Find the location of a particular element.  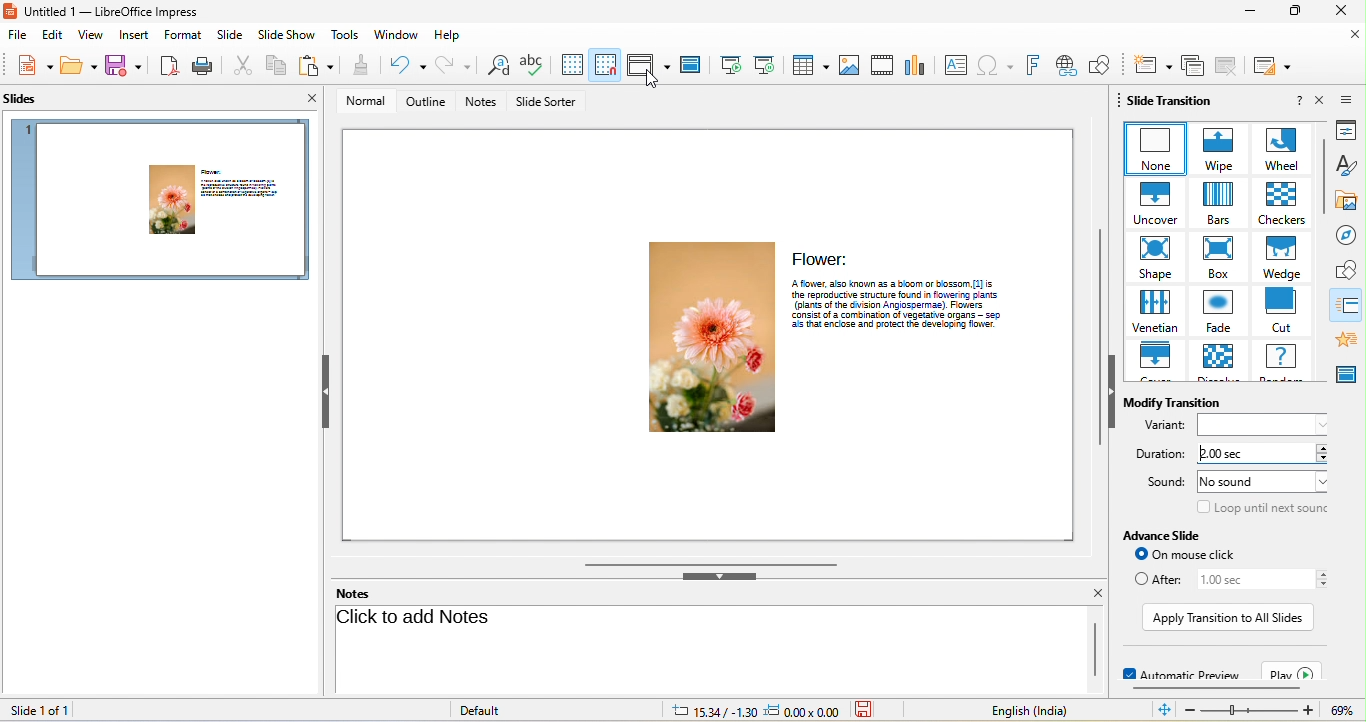

scrollbar in notes is located at coordinates (1095, 648).